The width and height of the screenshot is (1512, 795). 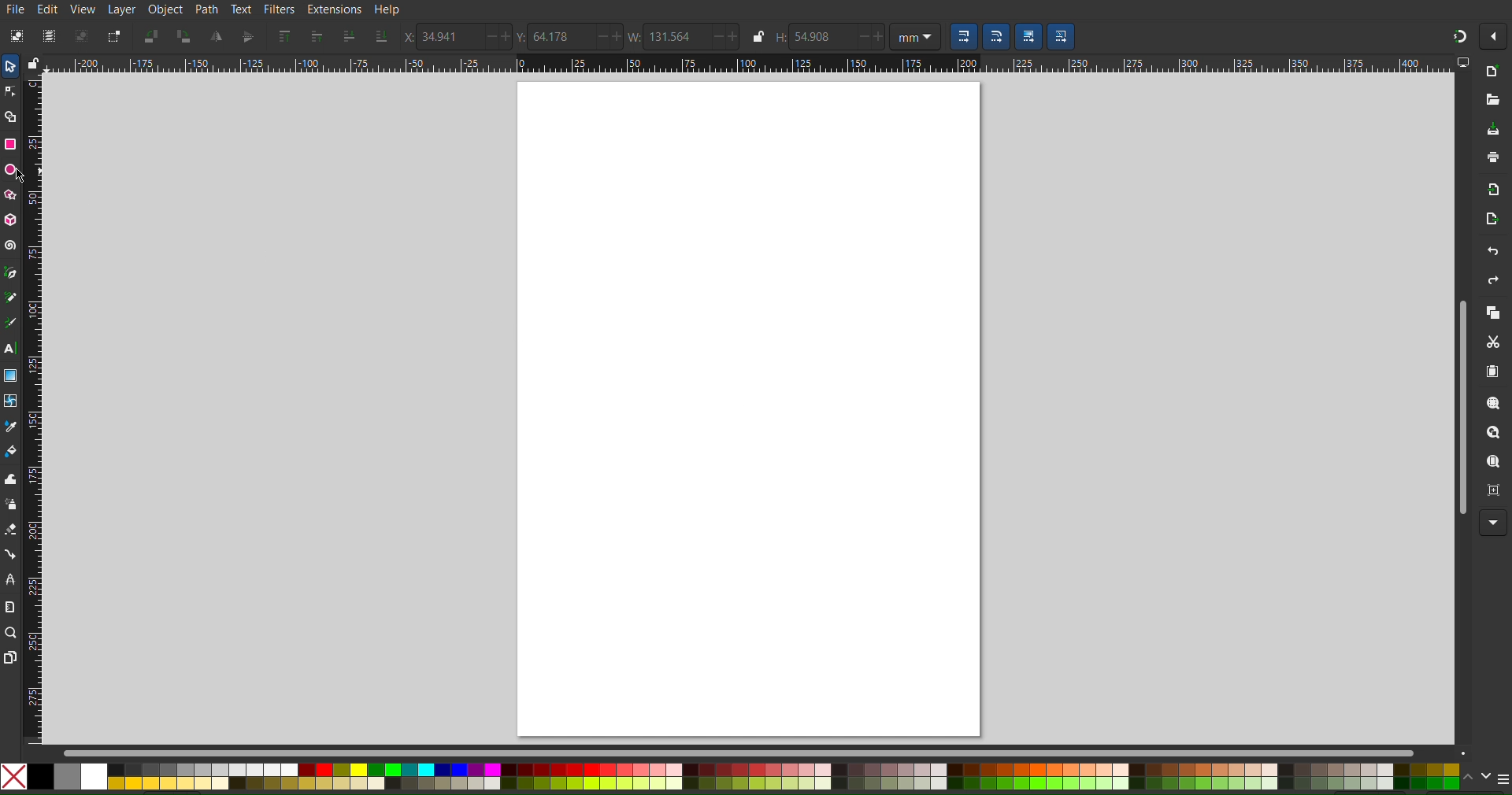 What do you see at coordinates (10, 579) in the screenshot?
I see `LPE Tool` at bounding box center [10, 579].